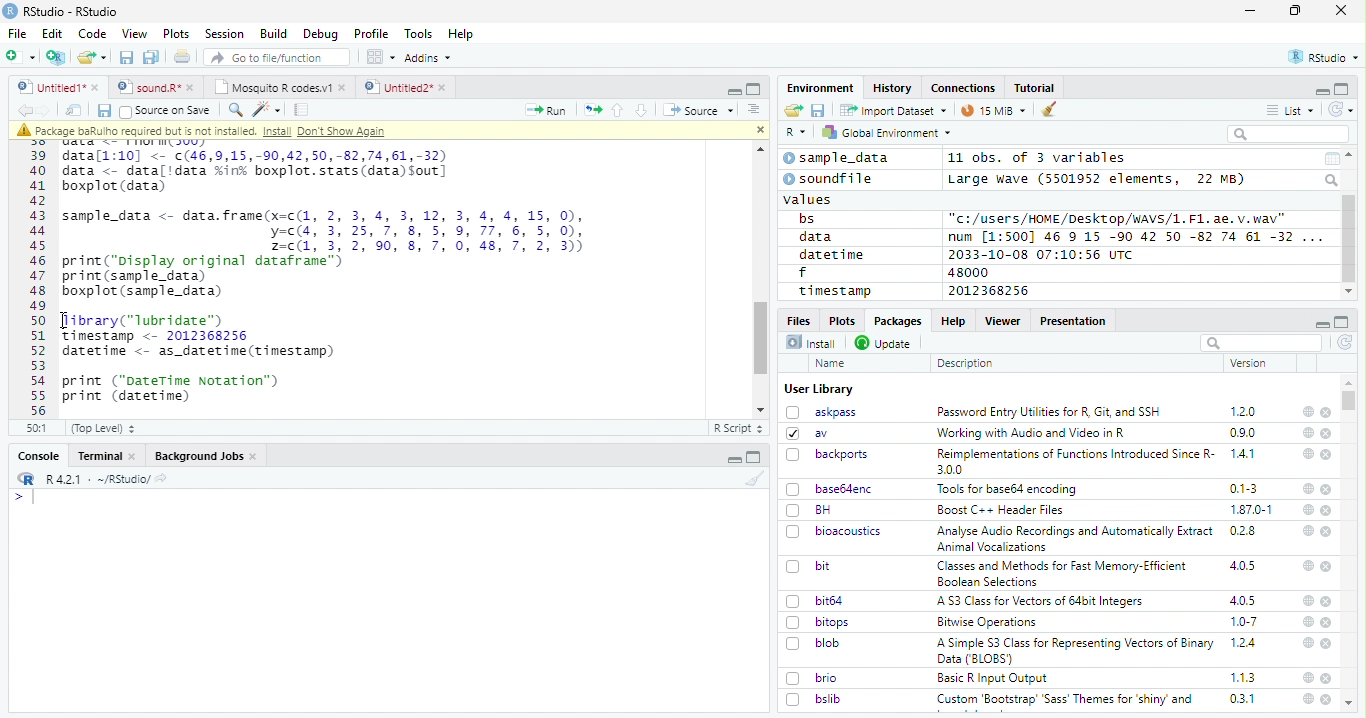 The image size is (1366, 718). Describe the element at coordinates (1307, 453) in the screenshot. I see `help` at that location.